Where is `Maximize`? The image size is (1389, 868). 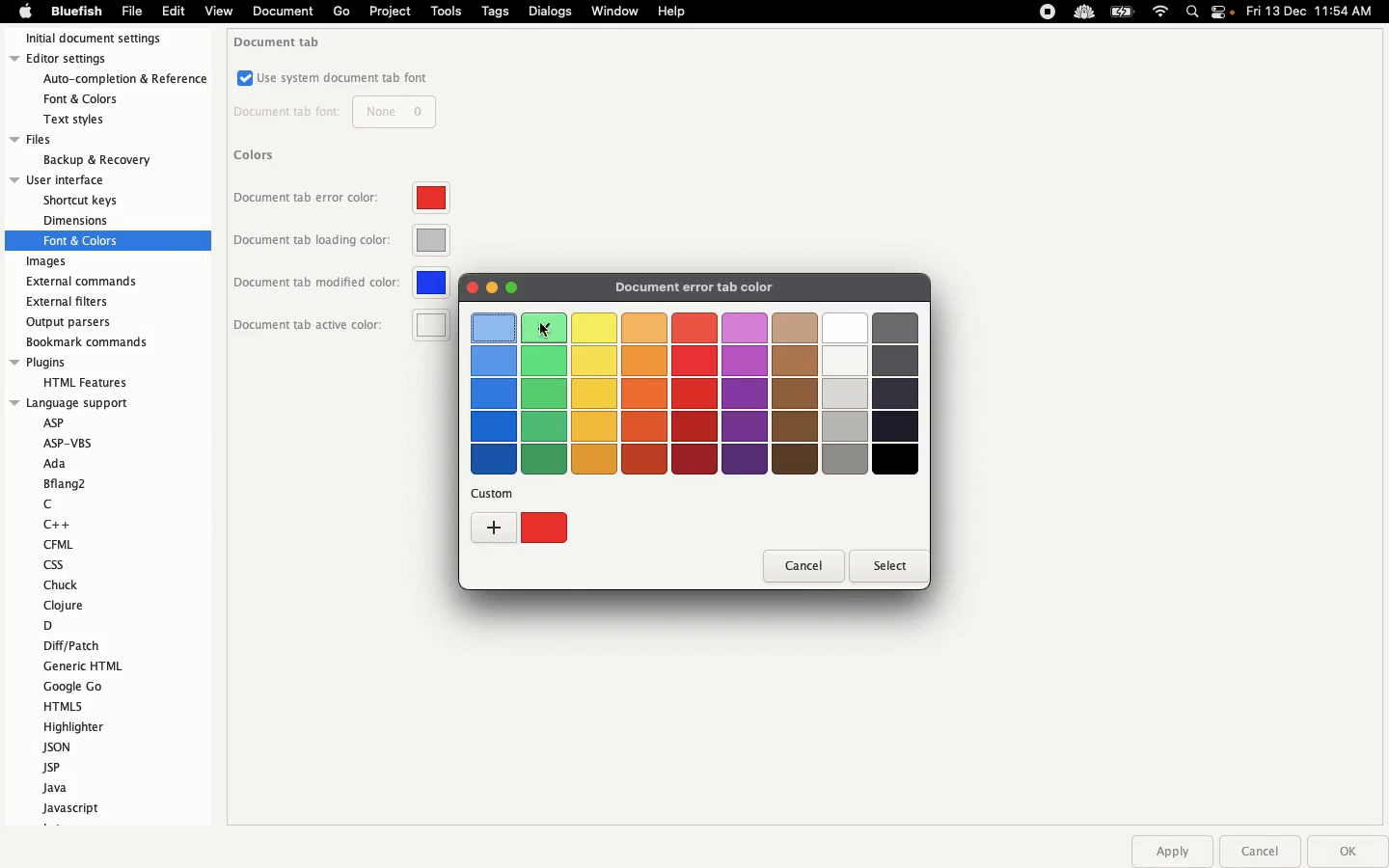
Maximize is located at coordinates (511, 286).